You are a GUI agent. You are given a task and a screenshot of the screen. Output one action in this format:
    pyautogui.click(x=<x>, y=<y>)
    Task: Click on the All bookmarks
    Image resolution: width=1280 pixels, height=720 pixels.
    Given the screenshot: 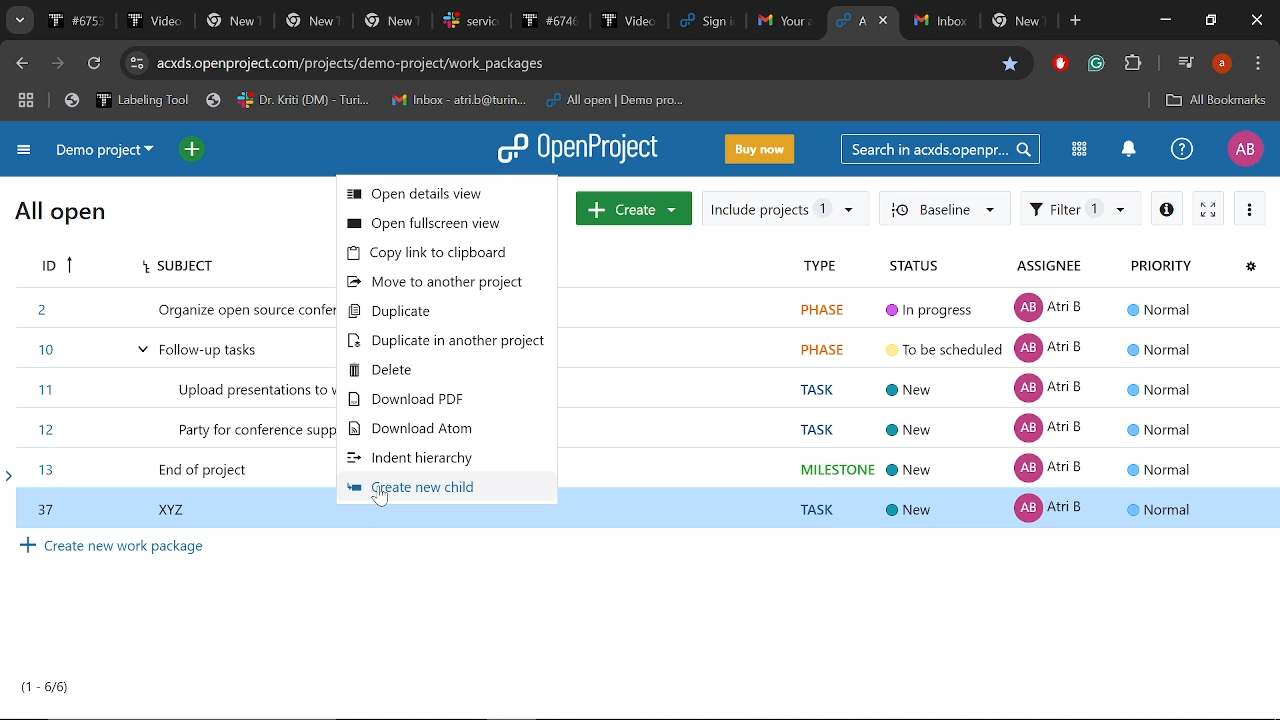 What is the action you would take?
    pyautogui.click(x=1216, y=102)
    